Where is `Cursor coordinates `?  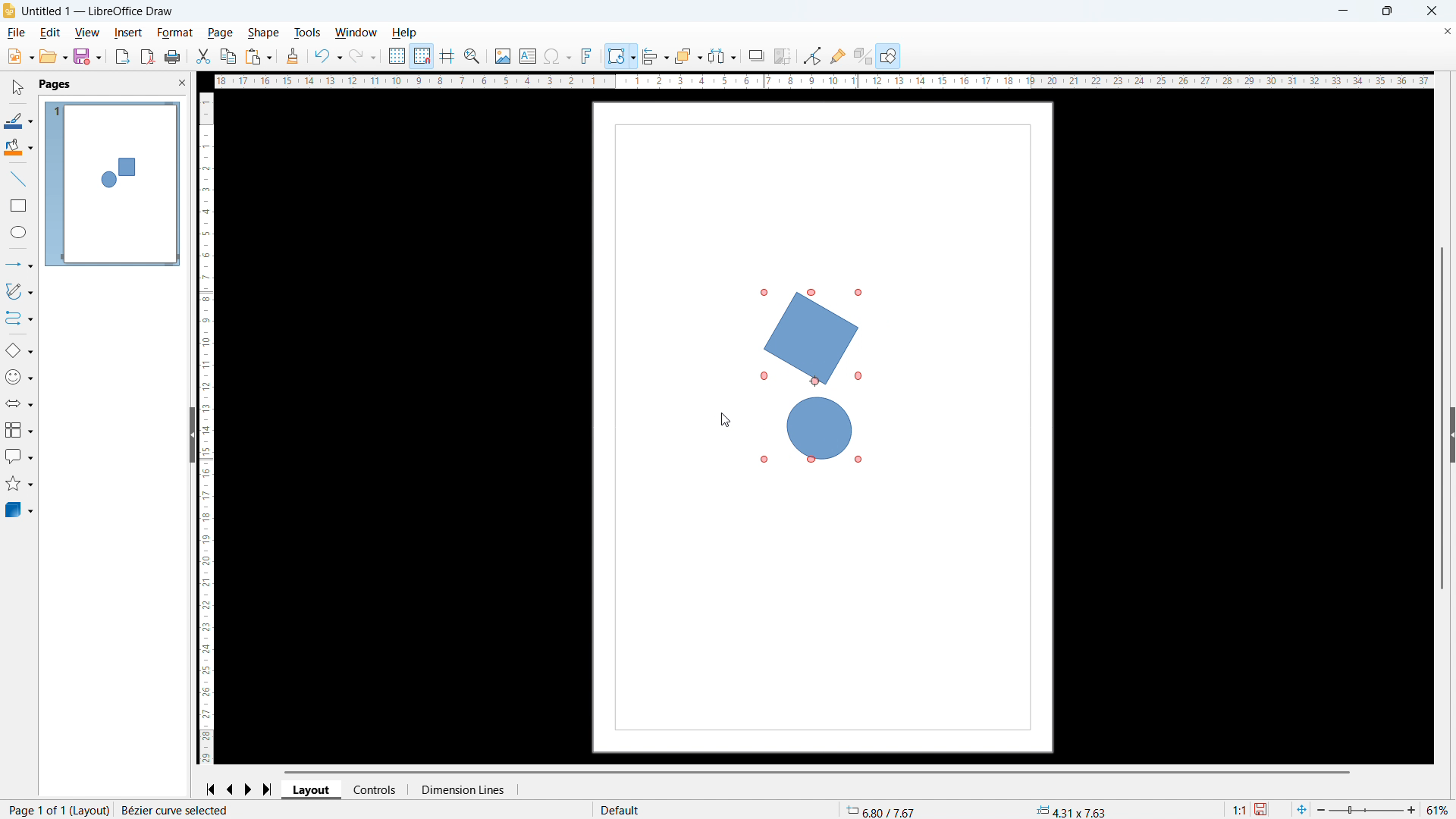
Cursor coordinates  is located at coordinates (884, 810).